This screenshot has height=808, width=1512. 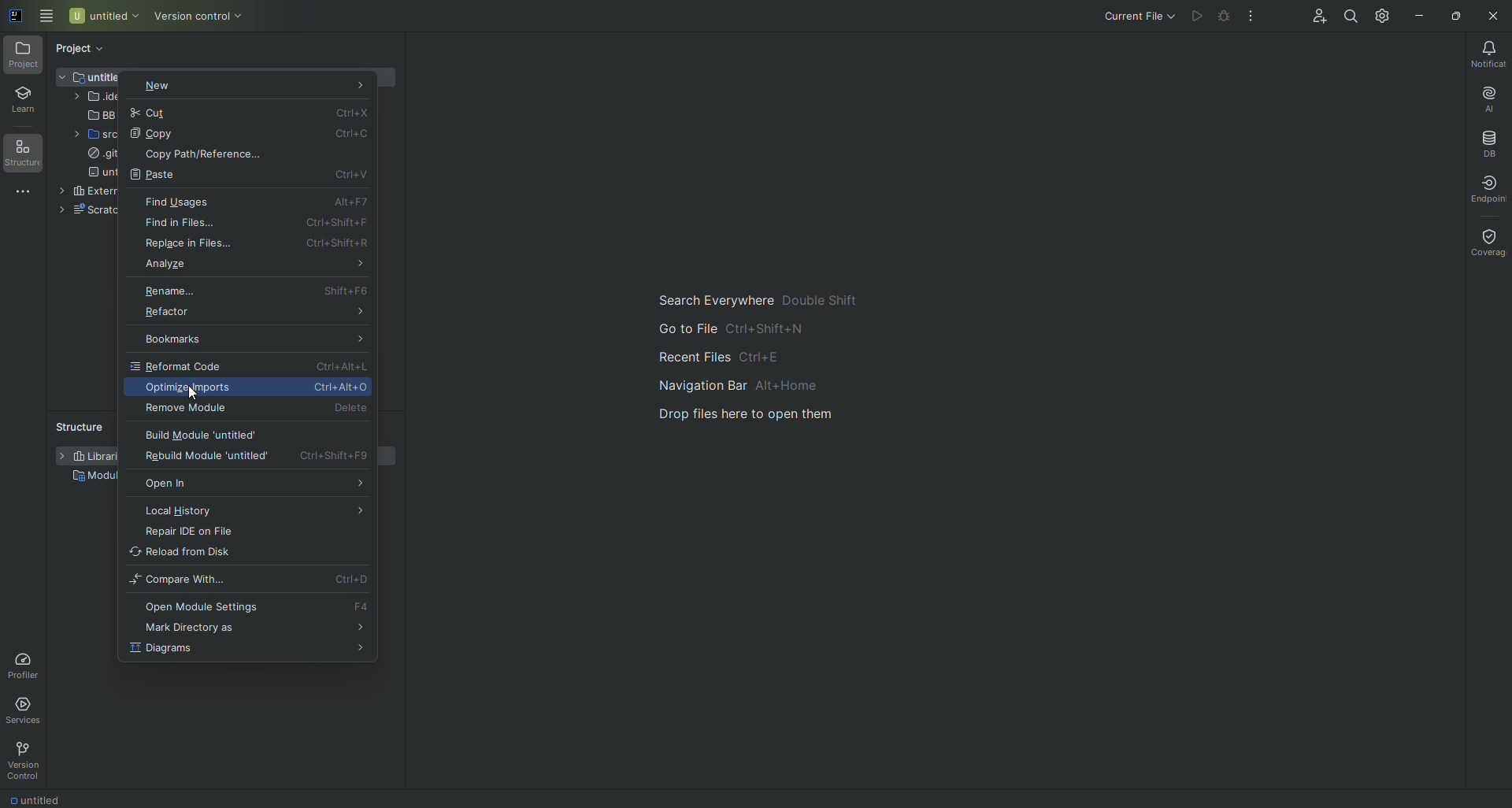 What do you see at coordinates (43, 799) in the screenshot?
I see `Untitled` at bounding box center [43, 799].